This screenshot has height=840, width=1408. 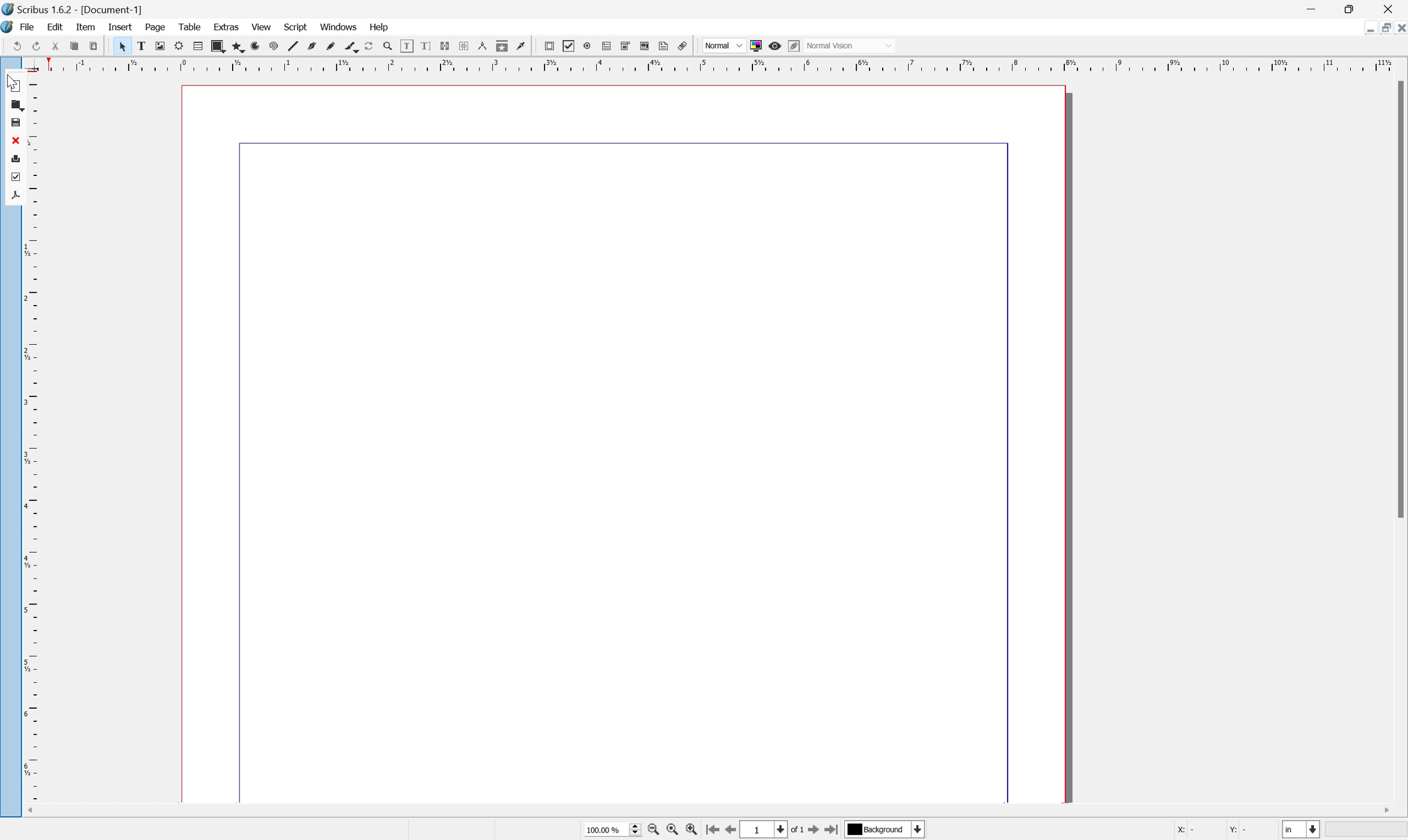 What do you see at coordinates (12, 506) in the screenshot?
I see `ruler` at bounding box center [12, 506].